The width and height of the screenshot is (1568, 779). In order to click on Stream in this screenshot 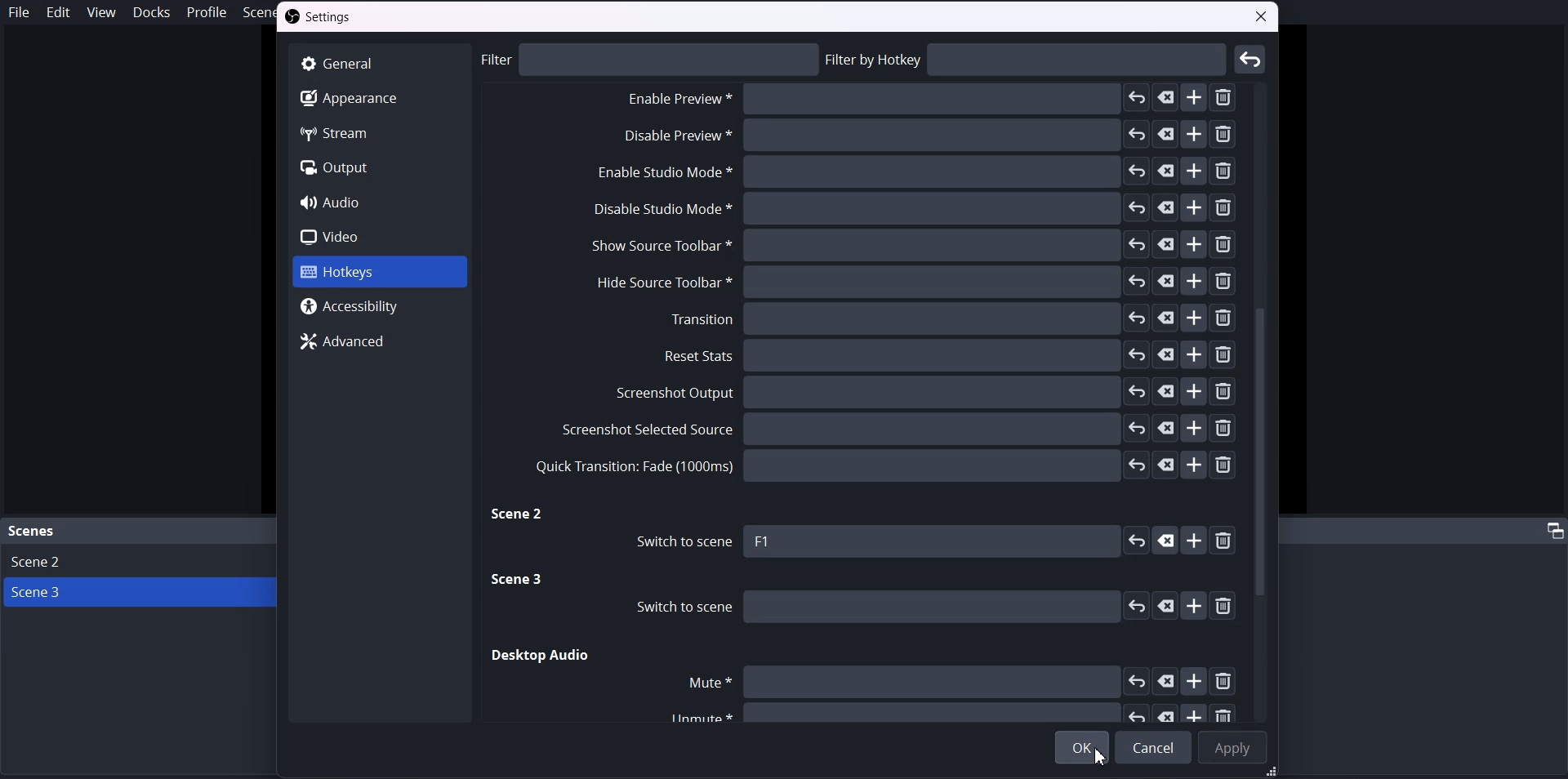, I will do `click(378, 132)`.